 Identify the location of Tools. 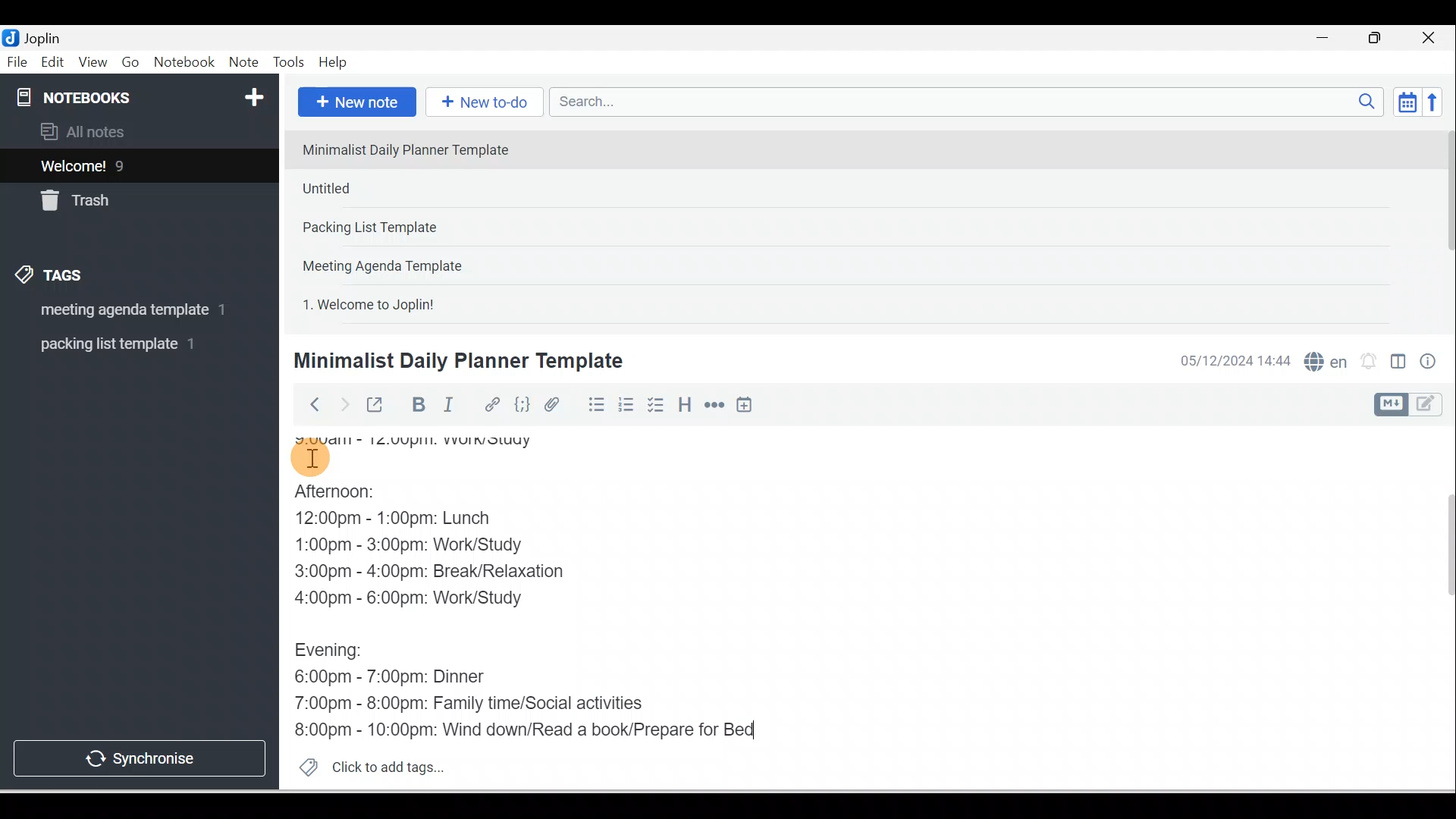
(288, 62).